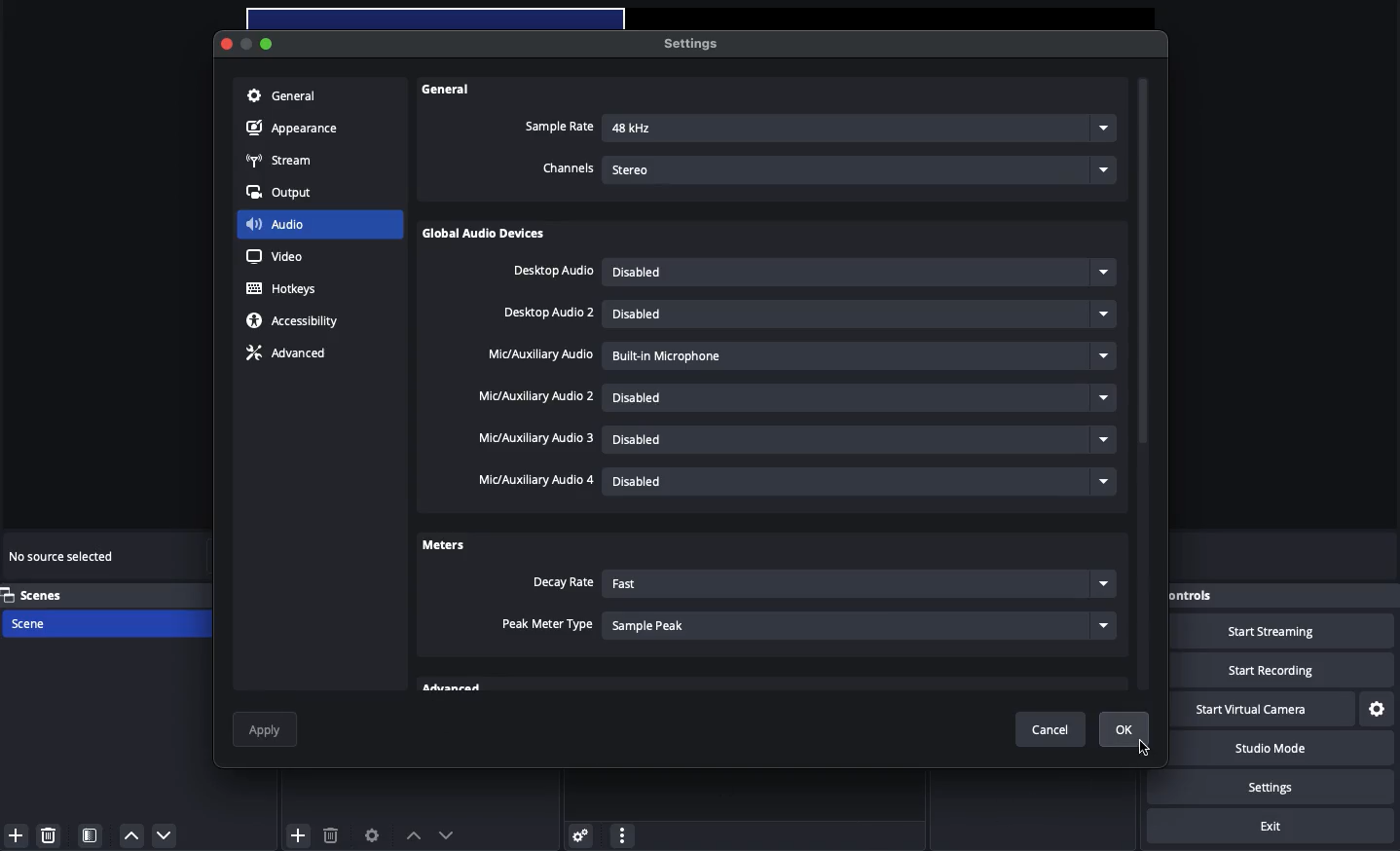 This screenshot has height=851, width=1400. What do you see at coordinates (1261, 710) in the screenshot?
I see `Start virtual camera` at bounding box center [1261, 710].